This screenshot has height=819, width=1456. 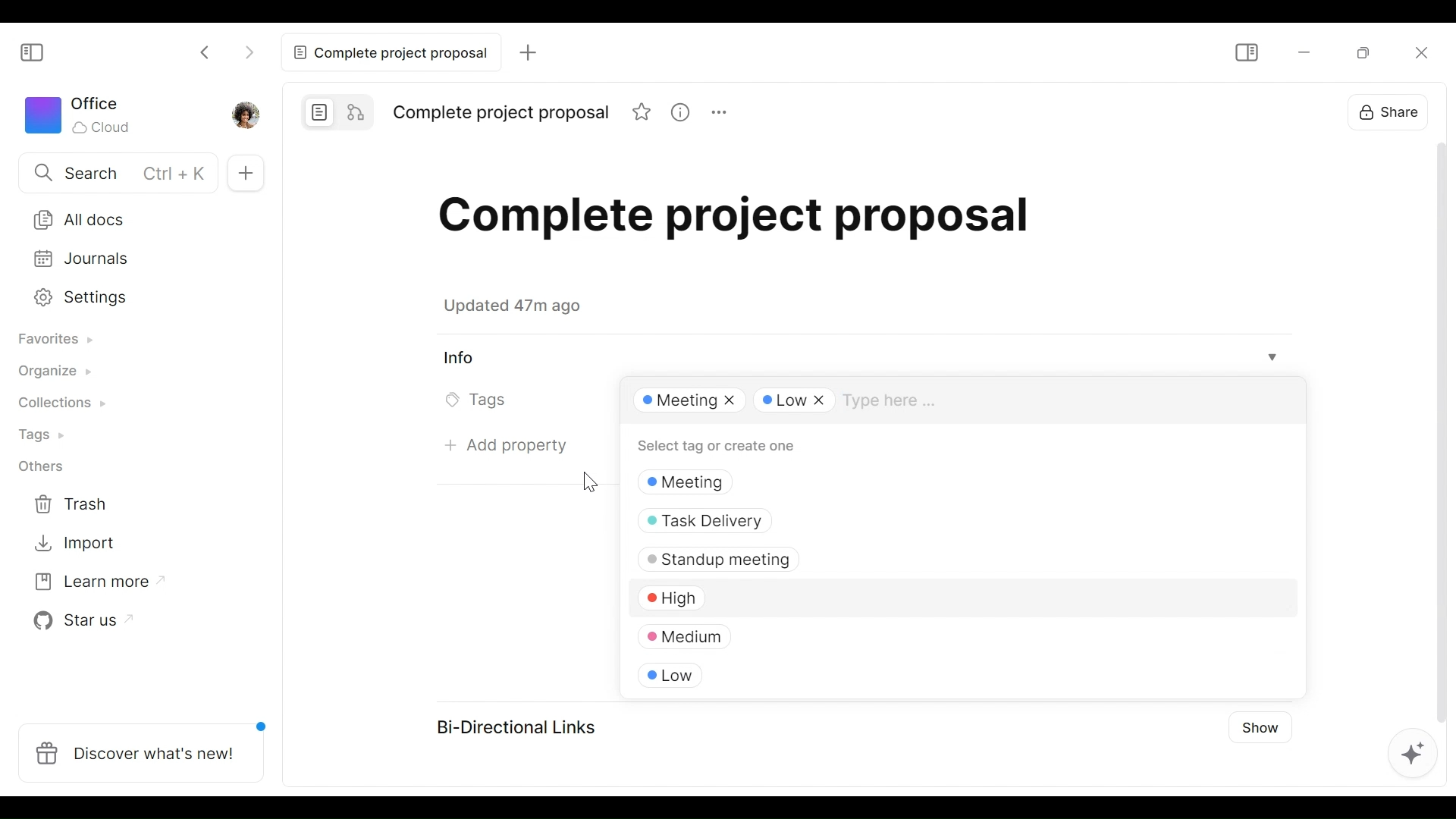 What do you see at coordinates (732, 447) in the screenshot?
I see `Select tag or create one` at bounding box center [732, 447].